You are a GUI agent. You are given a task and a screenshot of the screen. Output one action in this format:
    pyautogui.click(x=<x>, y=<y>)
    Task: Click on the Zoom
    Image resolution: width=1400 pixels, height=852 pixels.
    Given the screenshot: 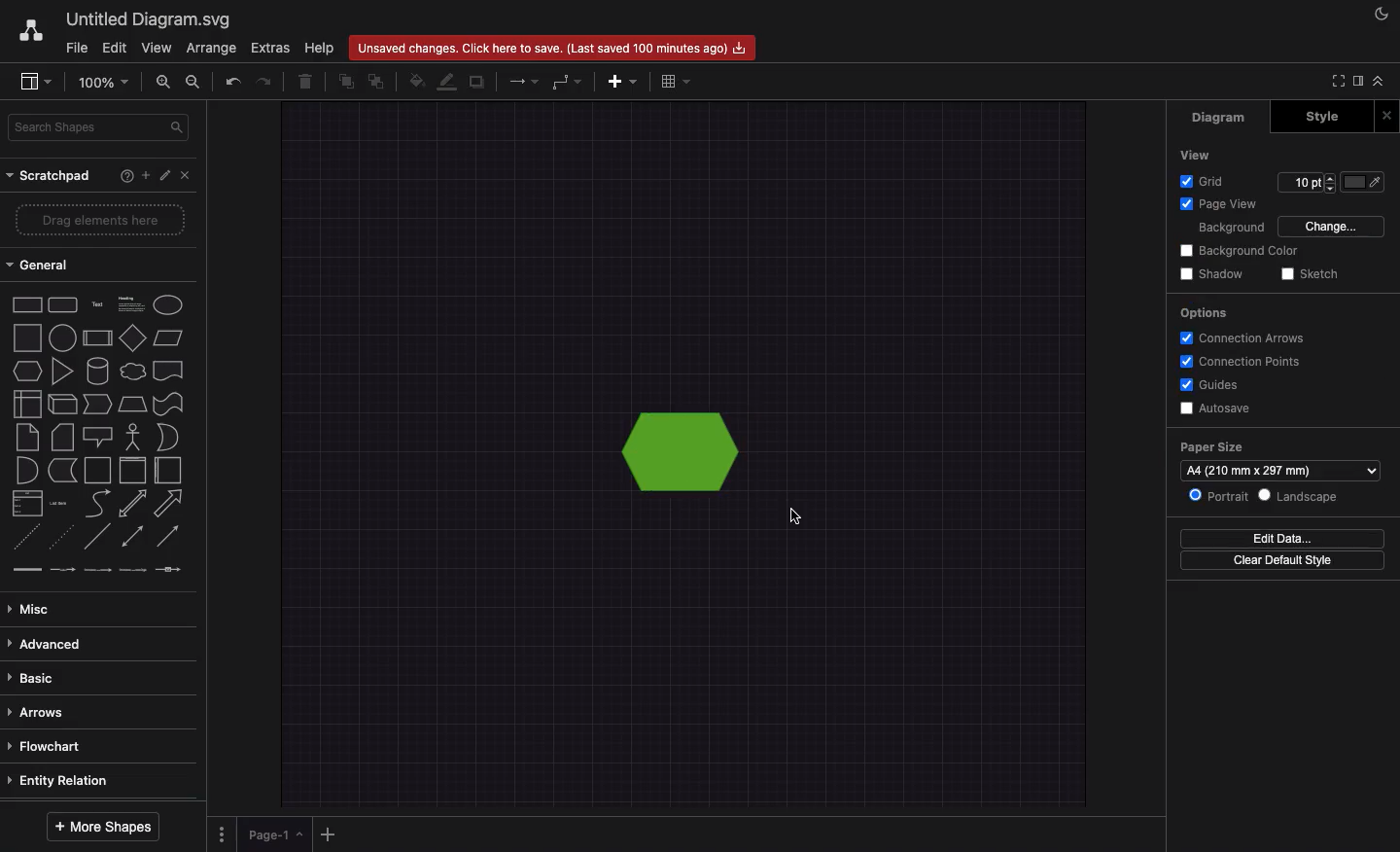 What is the action you would take?
    pyautogui.click(x=103, y=86)
    